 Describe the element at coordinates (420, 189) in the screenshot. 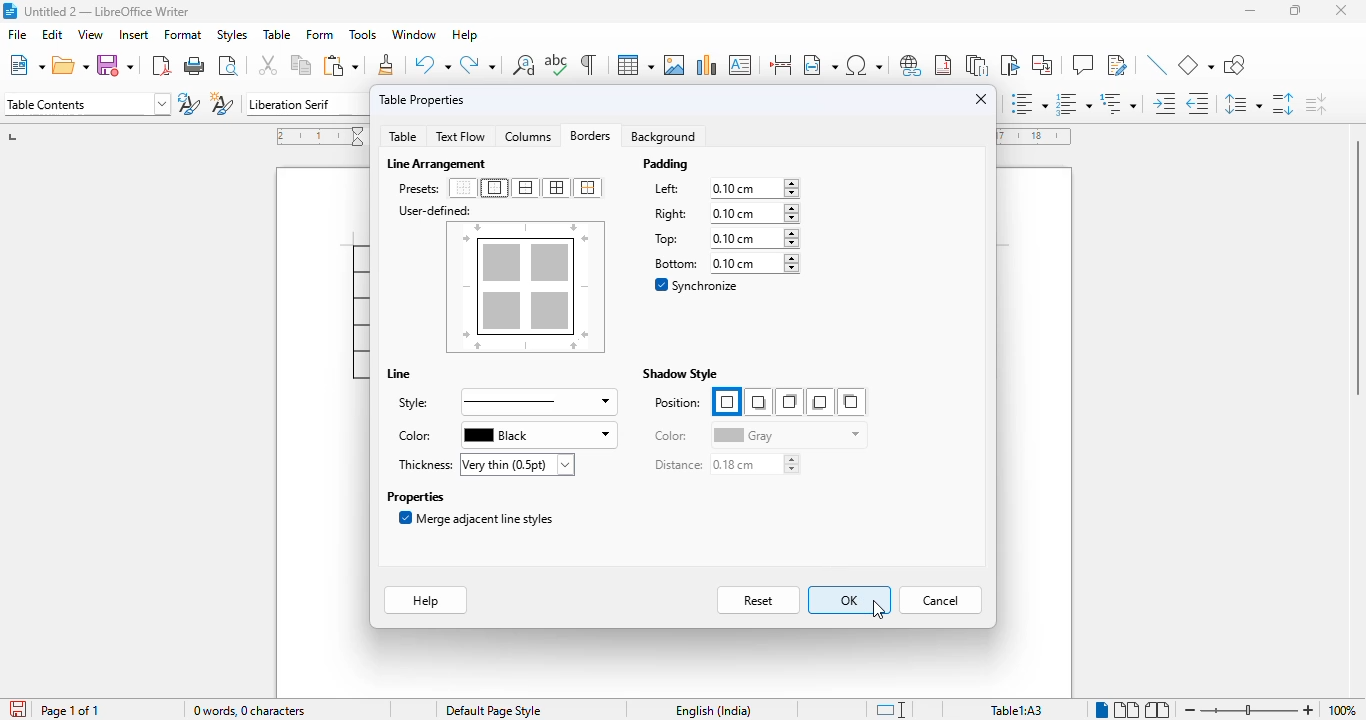

I see `presets: ` at that location.